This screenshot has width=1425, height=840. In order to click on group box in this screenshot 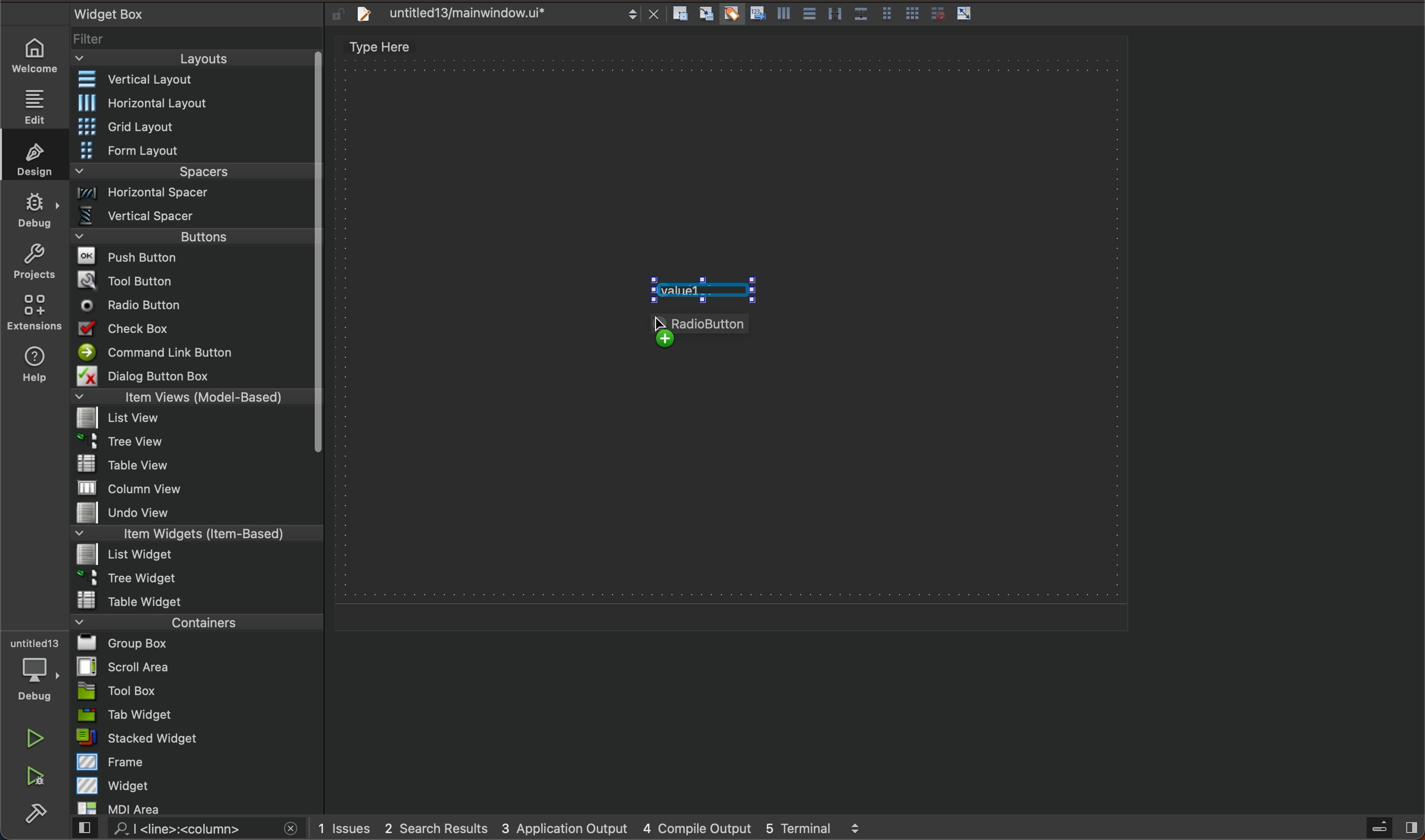, I will do `click(198, 642)`.